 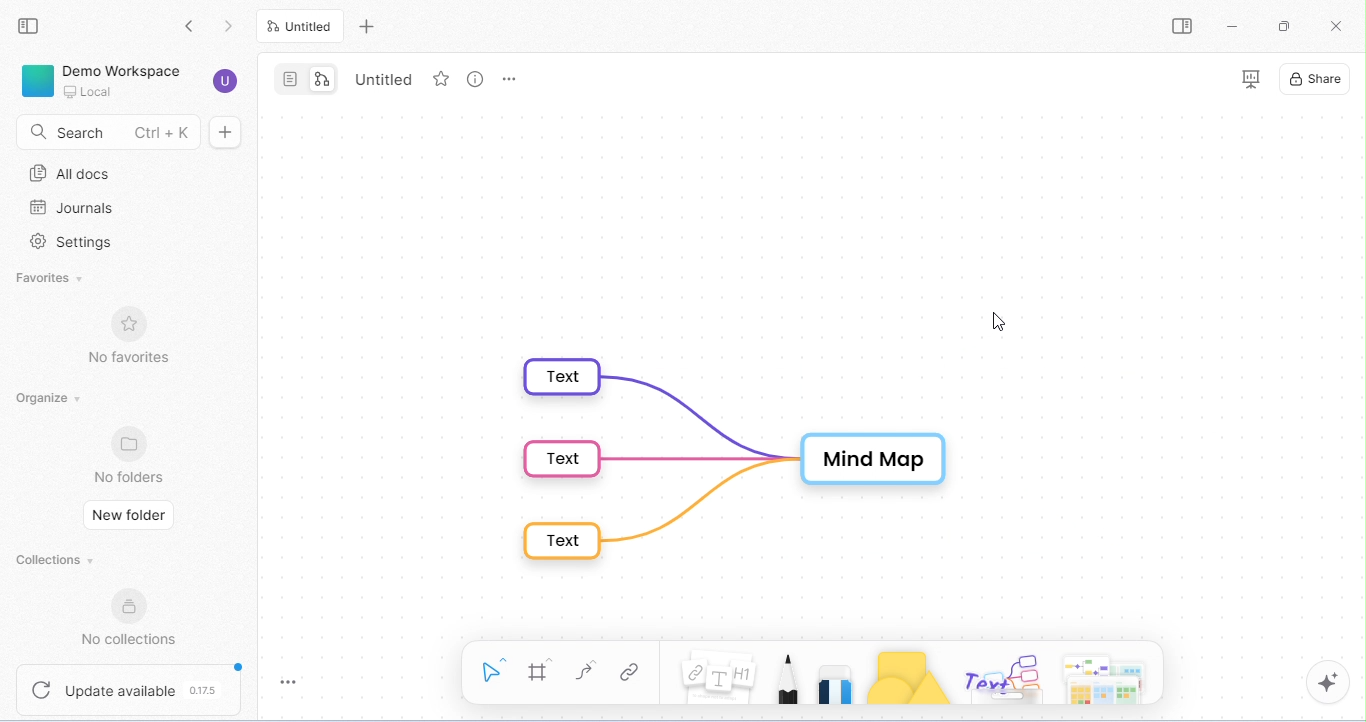 I want to click on no collections, so click(x=130, y=617).